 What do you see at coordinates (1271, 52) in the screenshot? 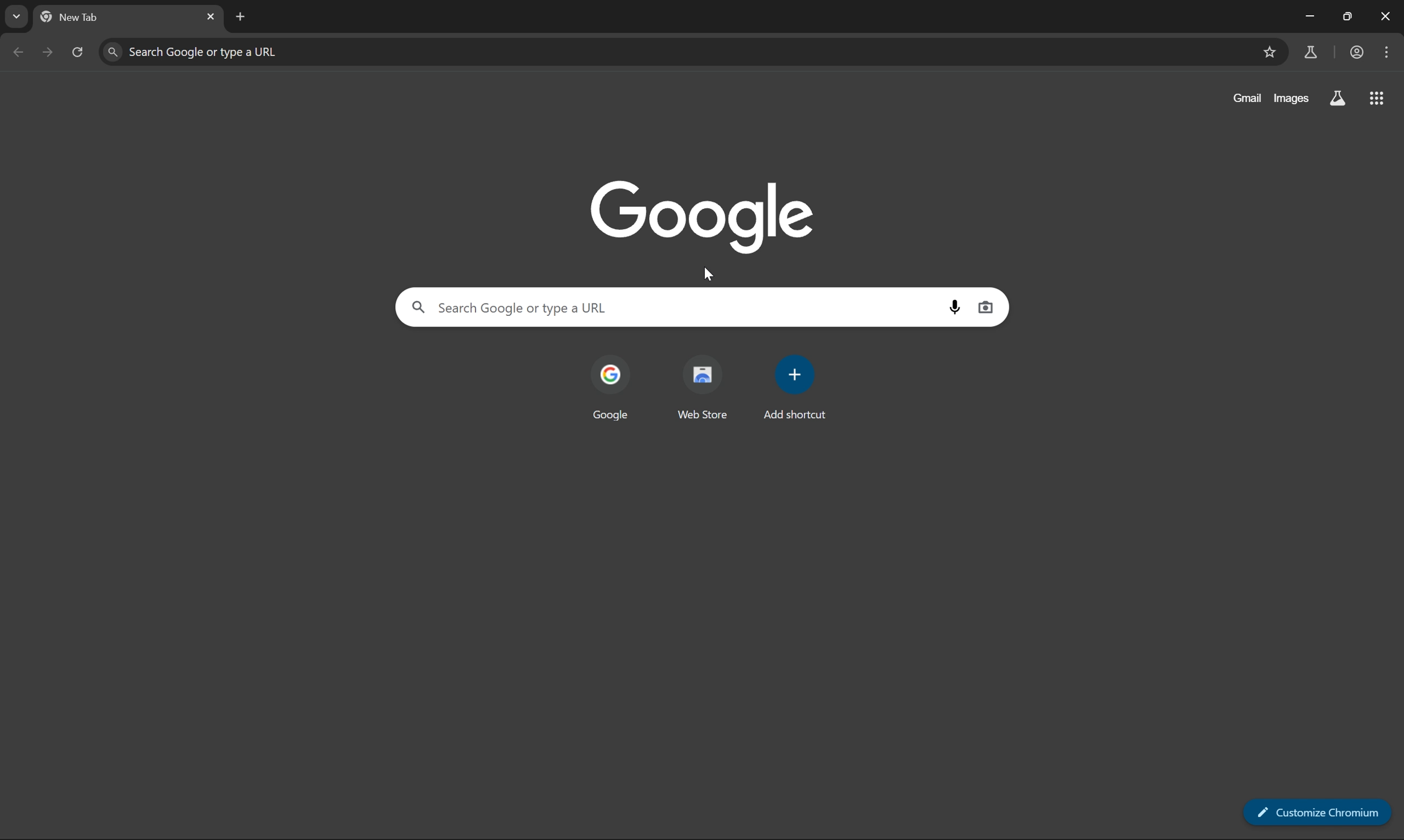
I see `bookmarks` at bounding box center [1271, 52].